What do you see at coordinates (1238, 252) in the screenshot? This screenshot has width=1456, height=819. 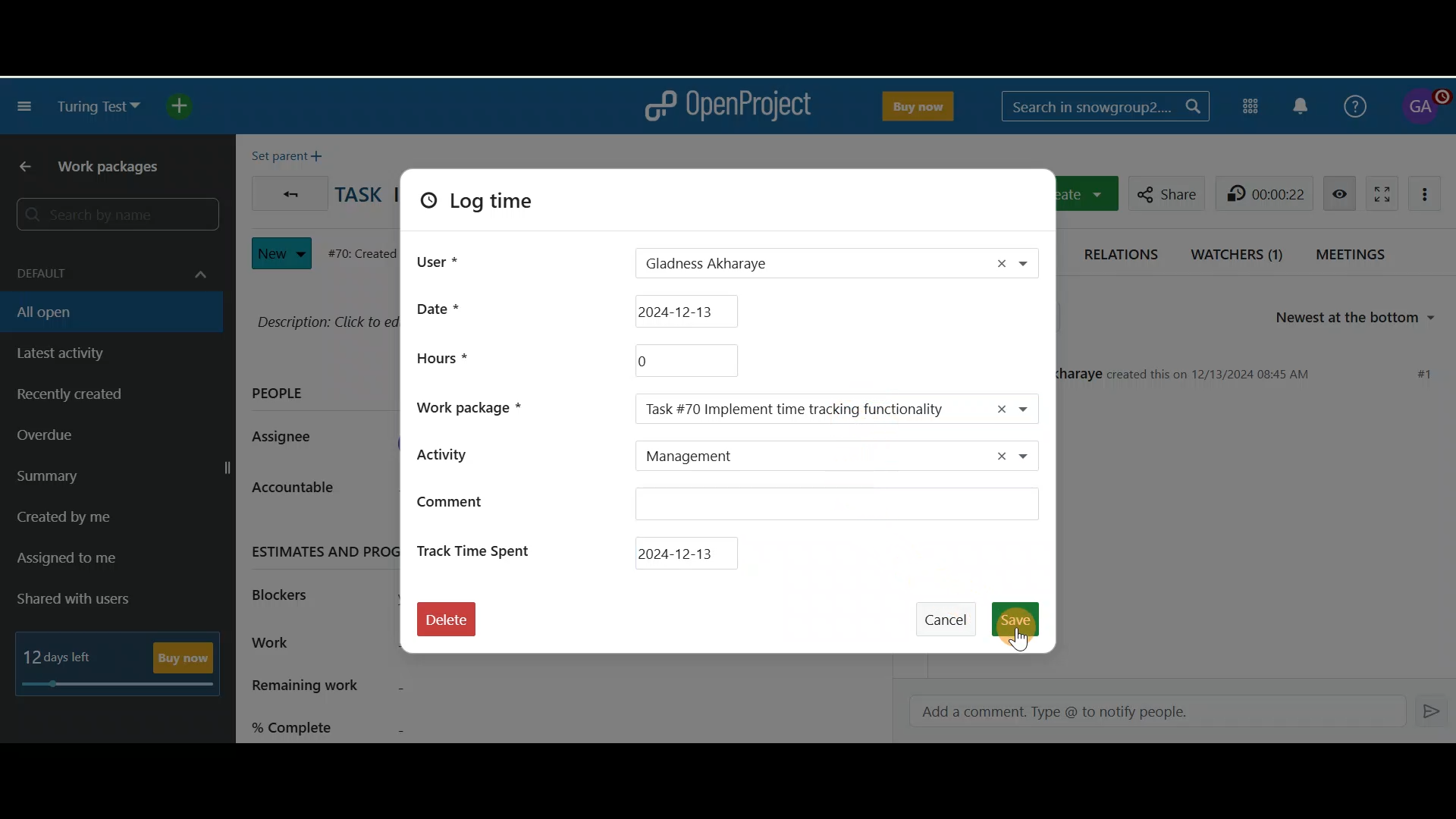 I see `Watchers` at bounding box center [1238, 252].